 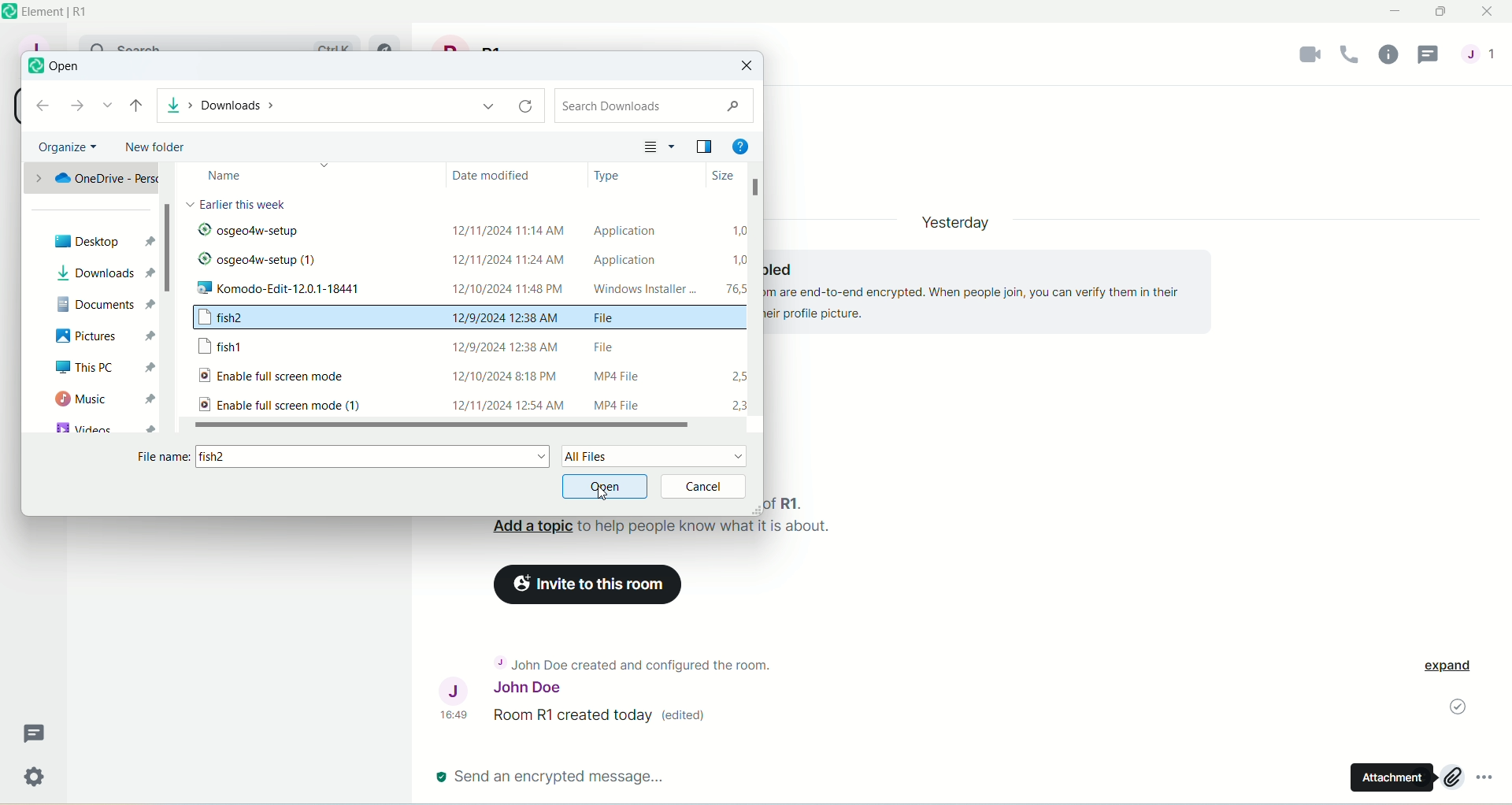 What do you see at coordinates (499, 179) in the screenshot?
I see `date modified` at bounding box center [499, 179].